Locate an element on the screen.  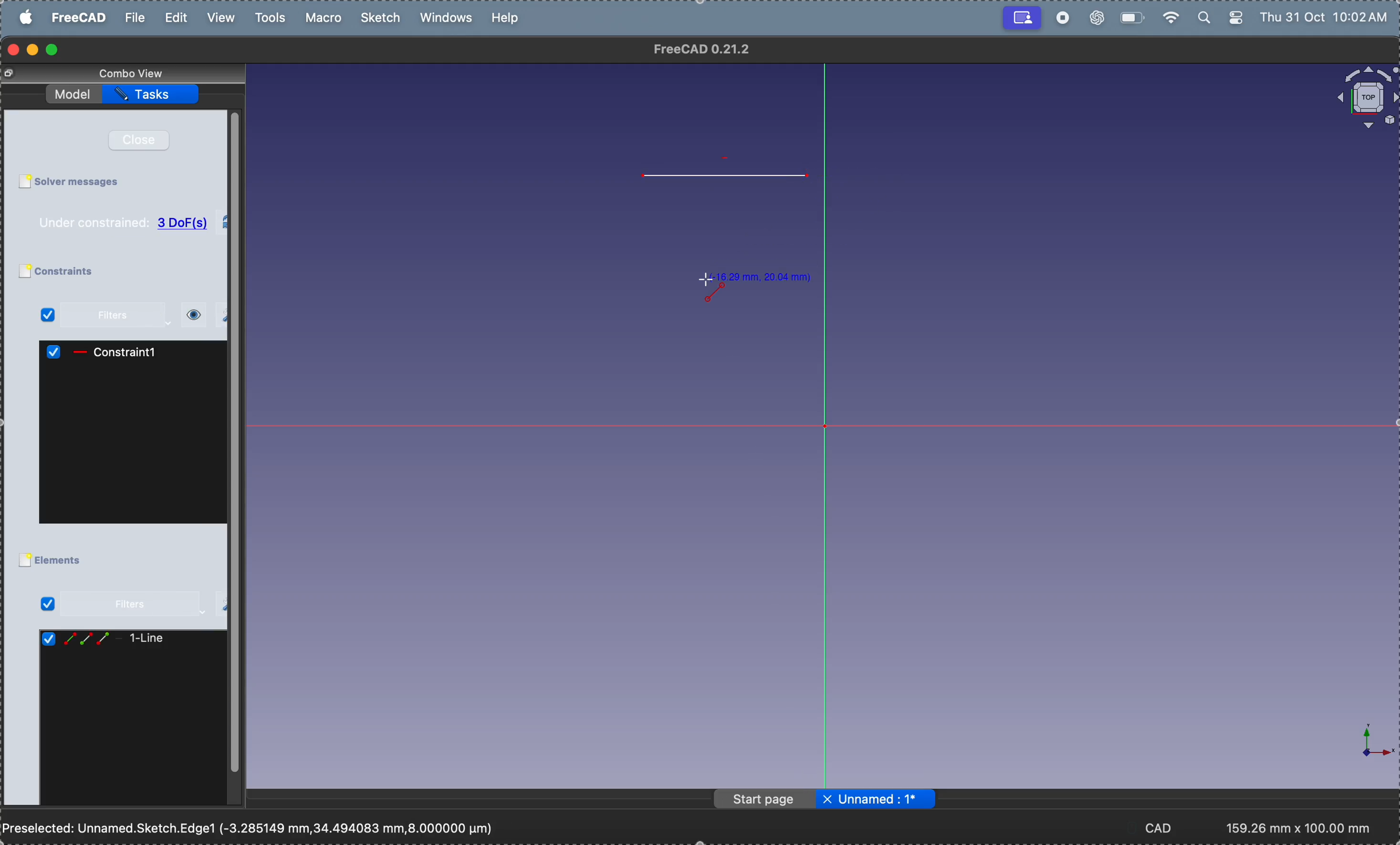
task is located at coordinates (153, 94).